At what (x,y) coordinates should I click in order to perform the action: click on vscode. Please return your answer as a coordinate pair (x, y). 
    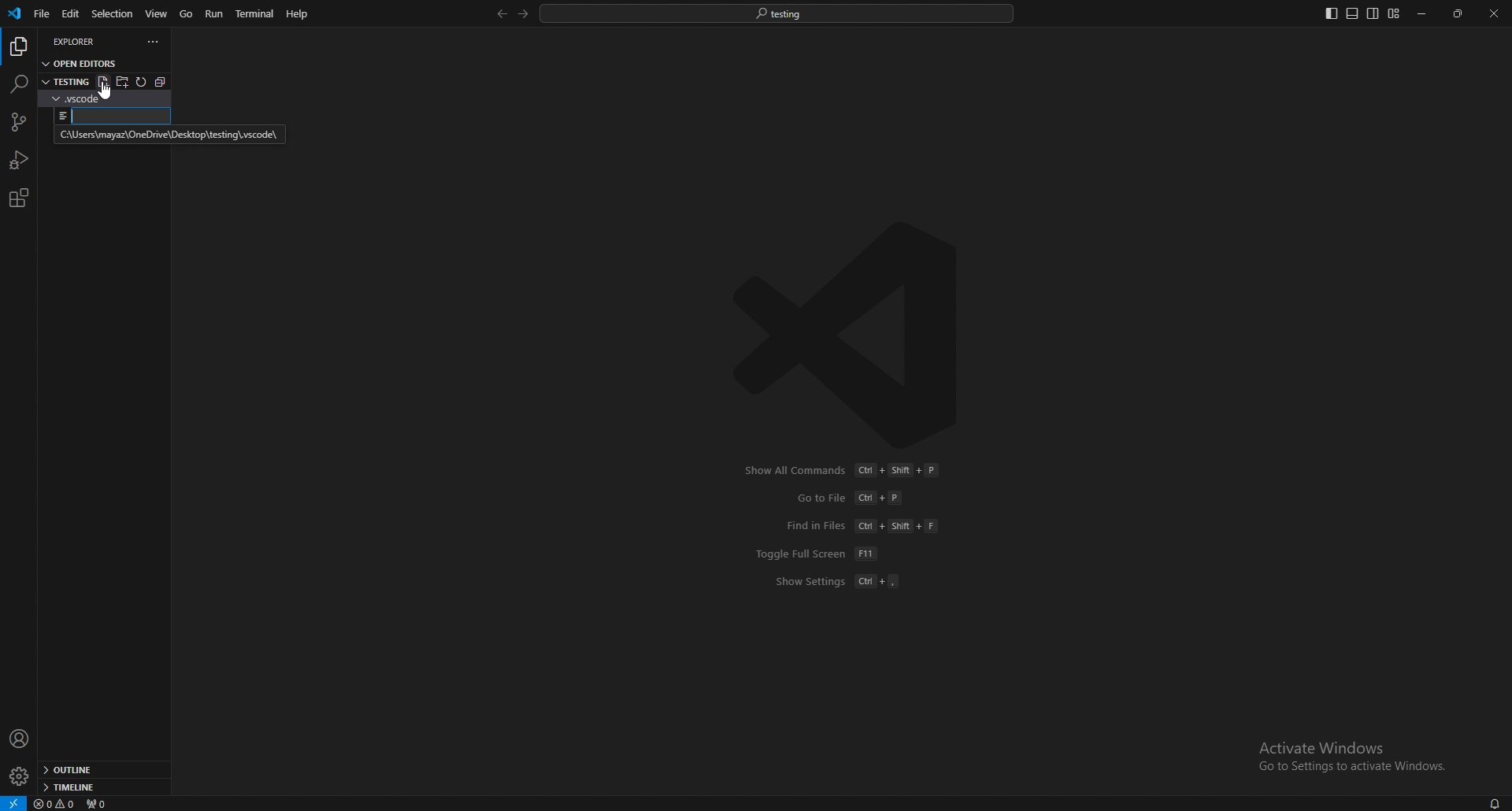
    Looking at the image, I should click on (16, 13).